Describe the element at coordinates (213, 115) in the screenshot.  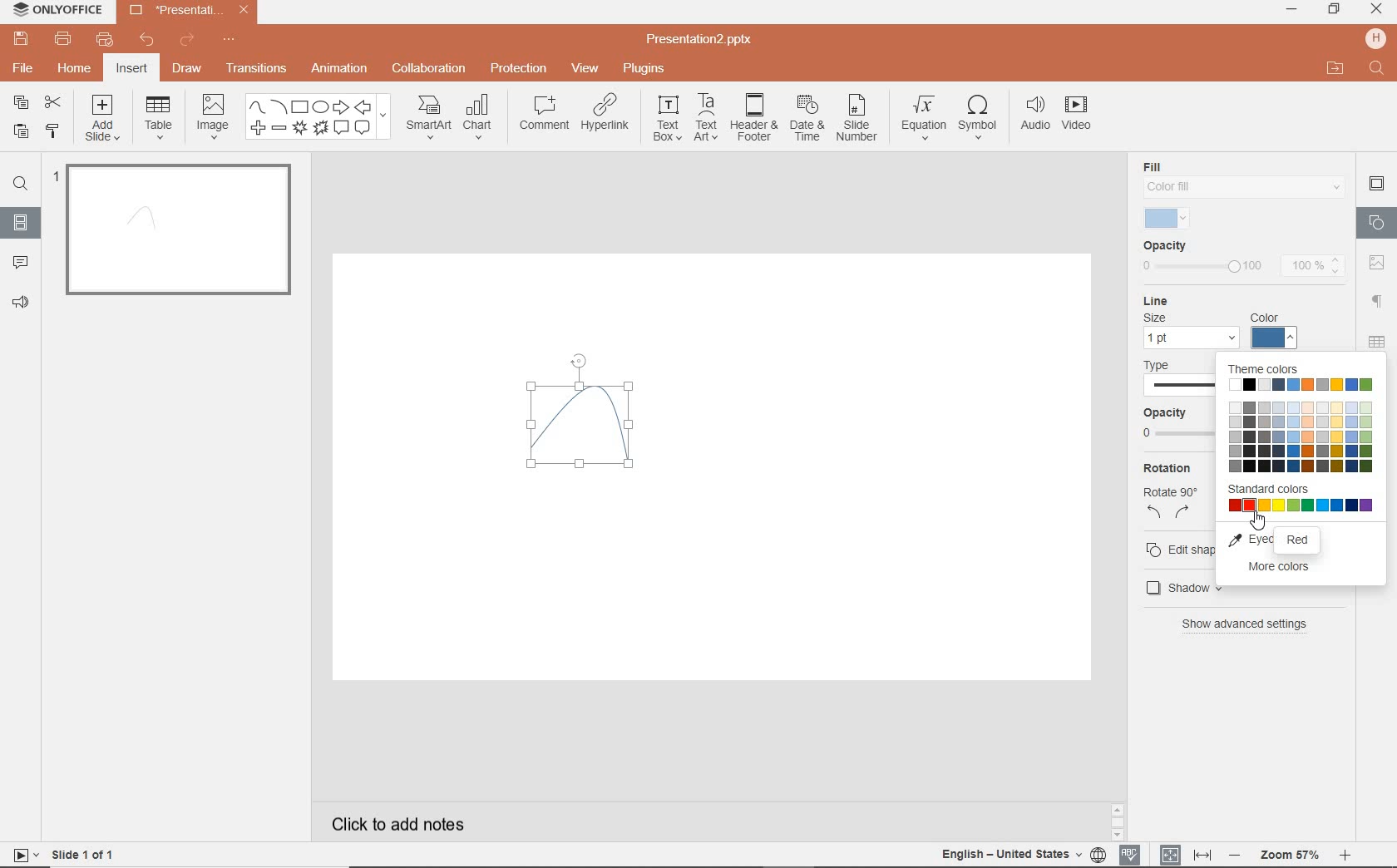
I see `IMAGE` at that location.